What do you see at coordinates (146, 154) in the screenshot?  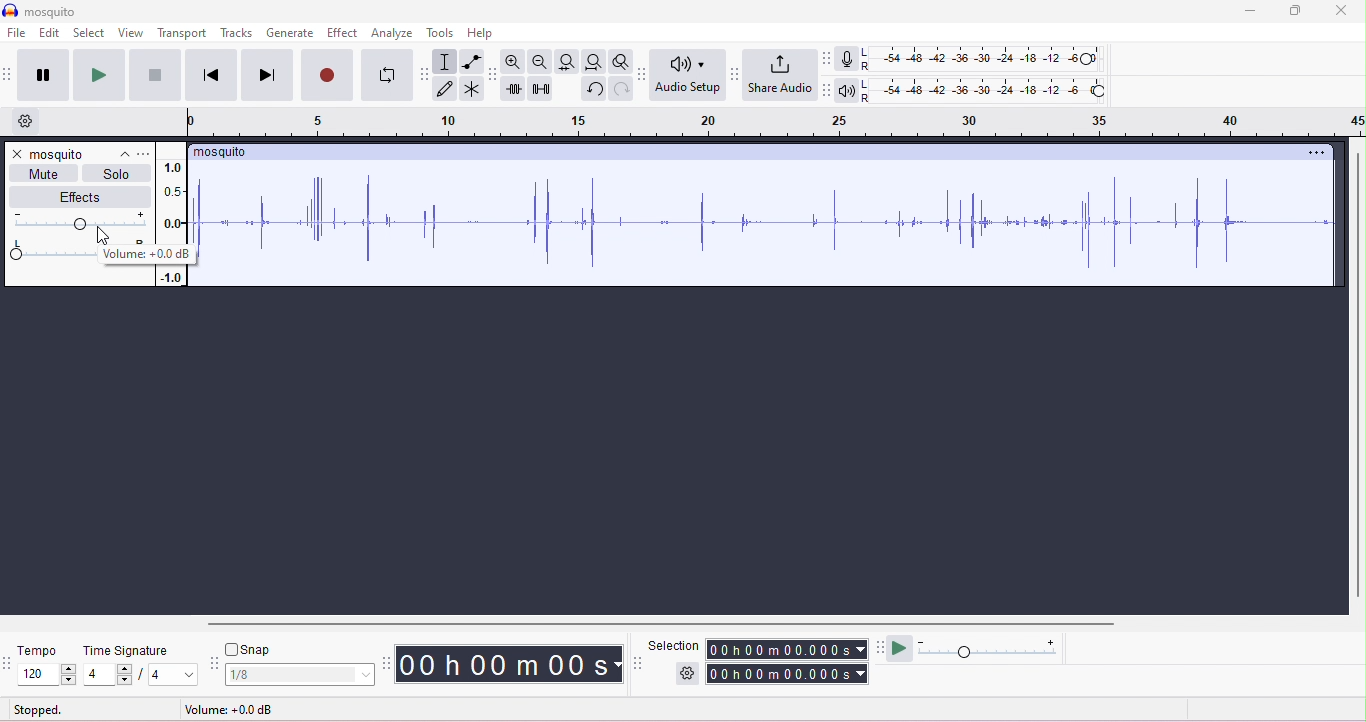 I see `options` at bounding box center [146, 154].